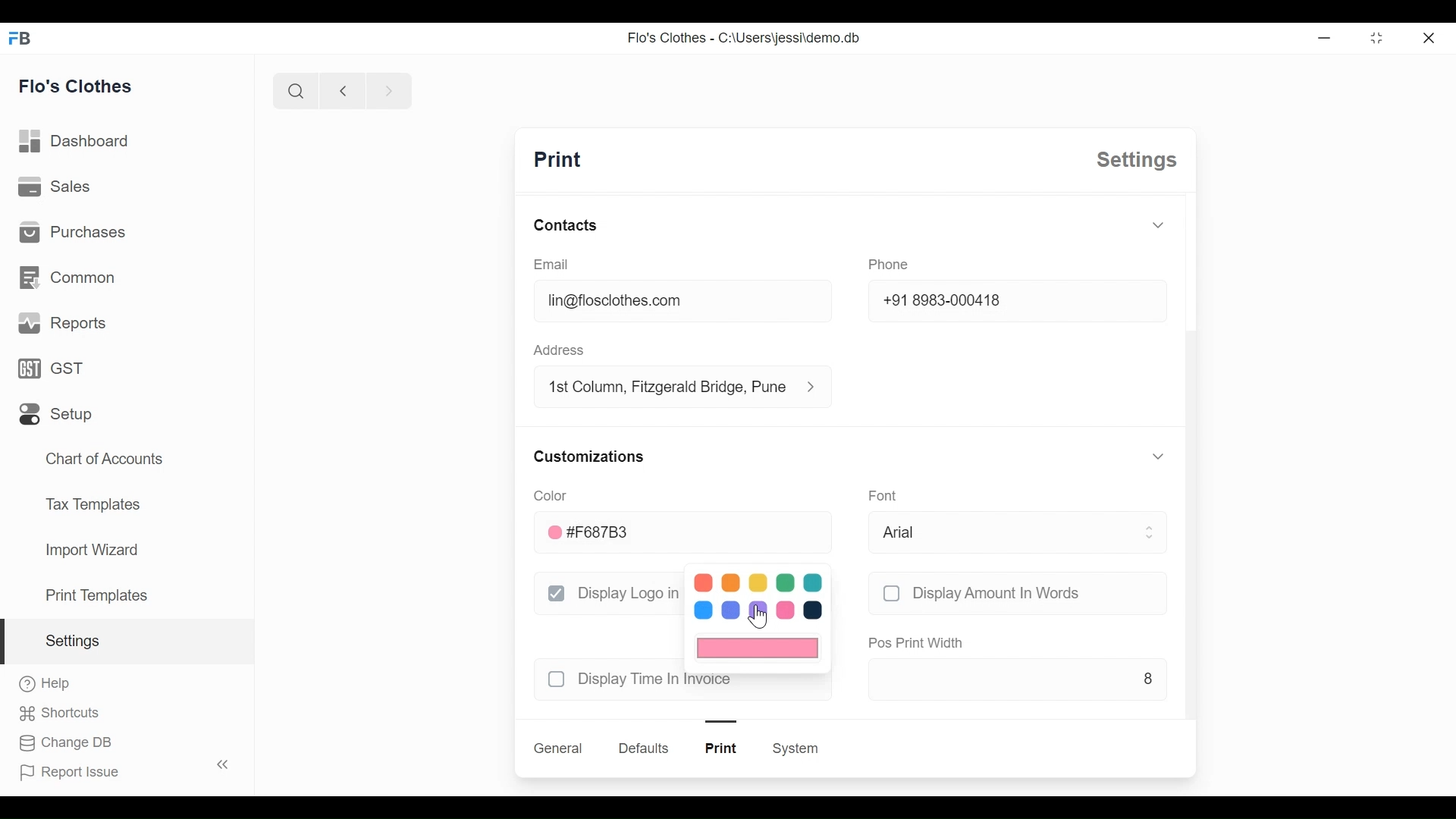  What do you see at coordinates (70, 773) in the screenshot?
I see `report issue` at bounding box center [70, 773].